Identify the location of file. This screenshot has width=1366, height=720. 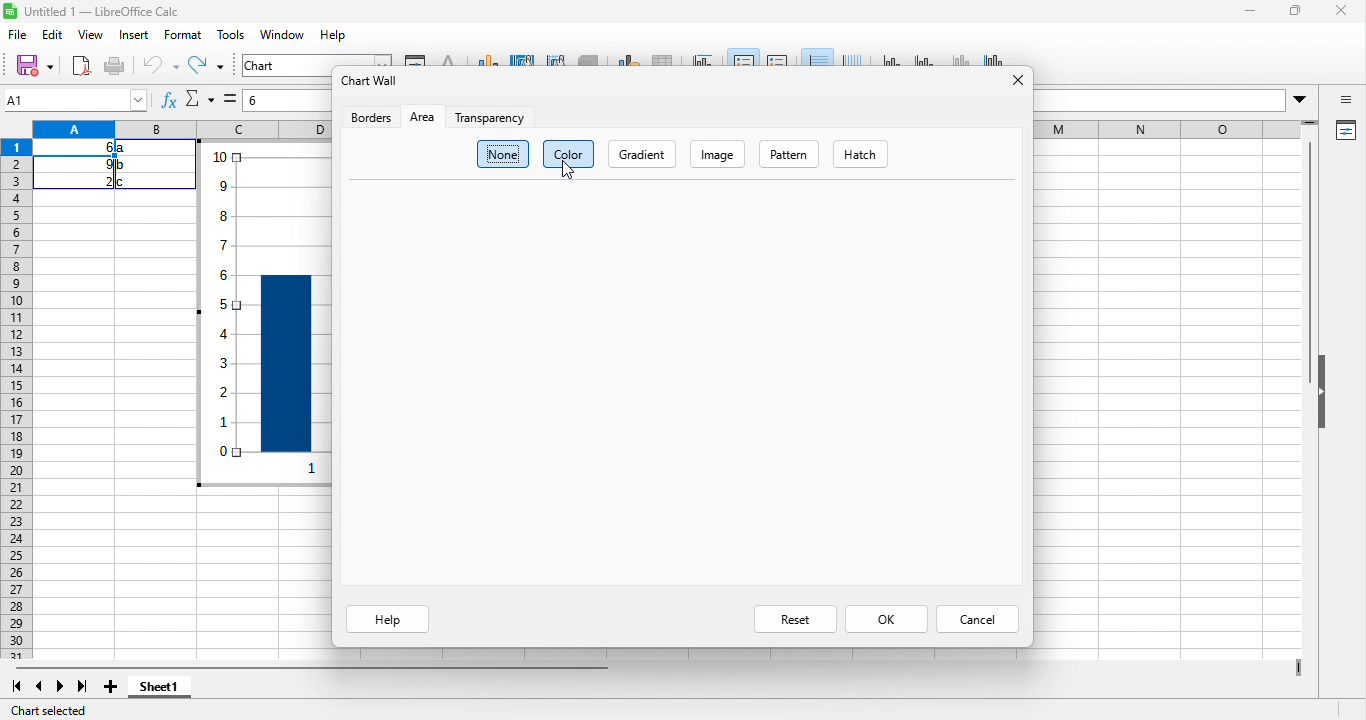
(20, 35).